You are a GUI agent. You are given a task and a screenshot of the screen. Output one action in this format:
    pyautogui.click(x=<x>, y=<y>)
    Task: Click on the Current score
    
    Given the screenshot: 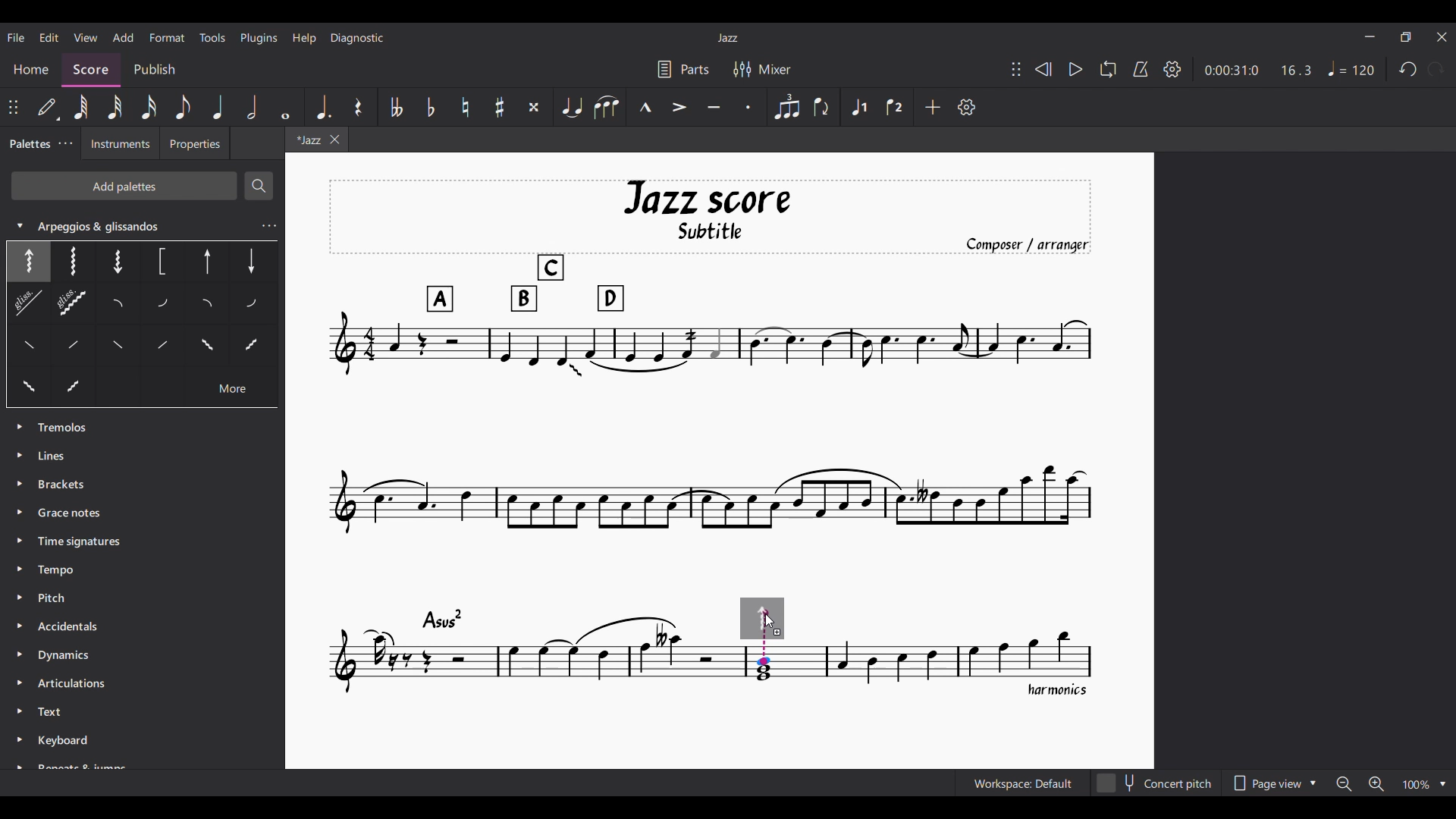 What is the action you would take?
    pyautogui.click(x=713, y=440)
    